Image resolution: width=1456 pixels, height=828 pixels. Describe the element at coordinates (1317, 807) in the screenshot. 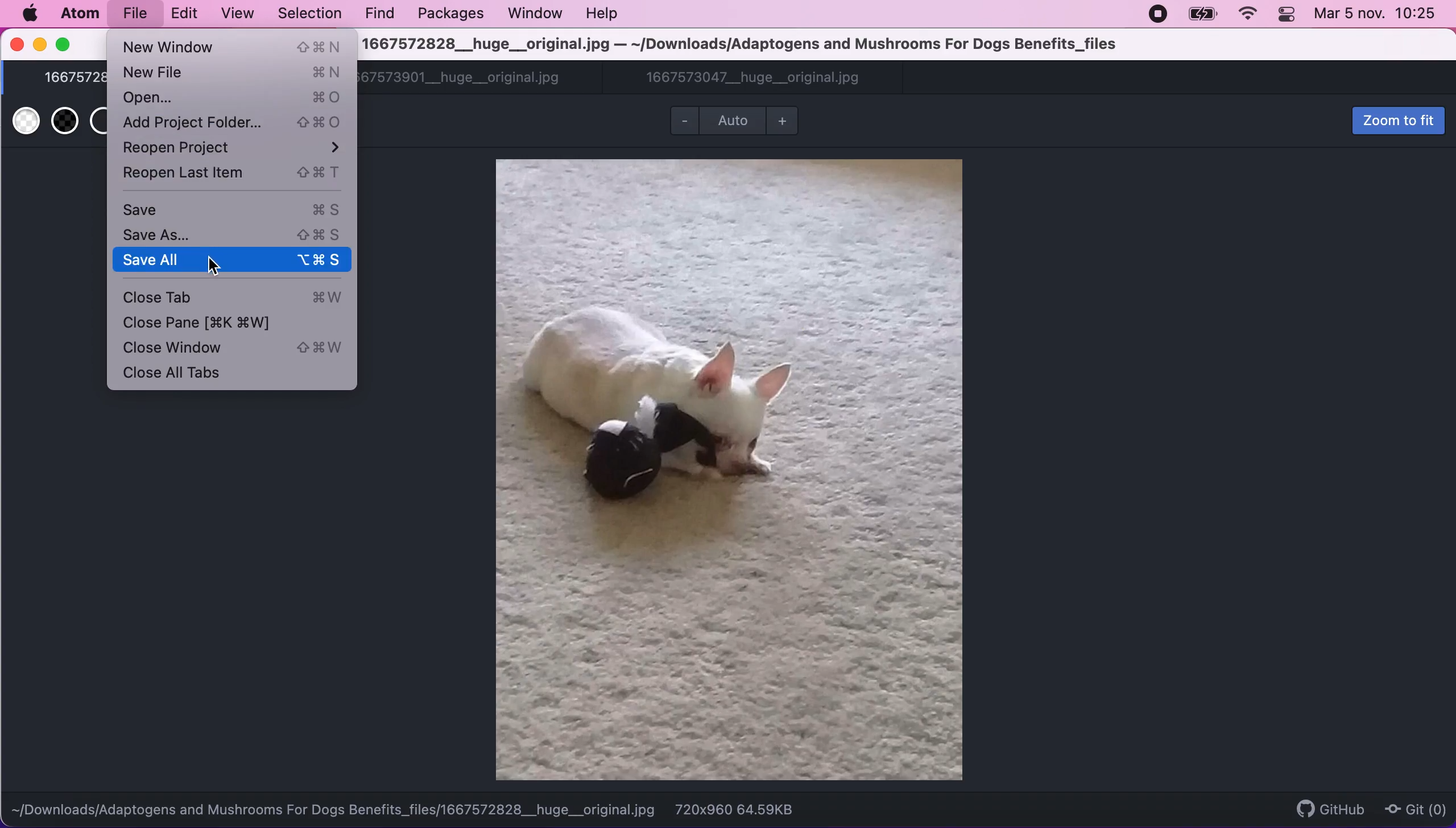

I see `github` at that location.